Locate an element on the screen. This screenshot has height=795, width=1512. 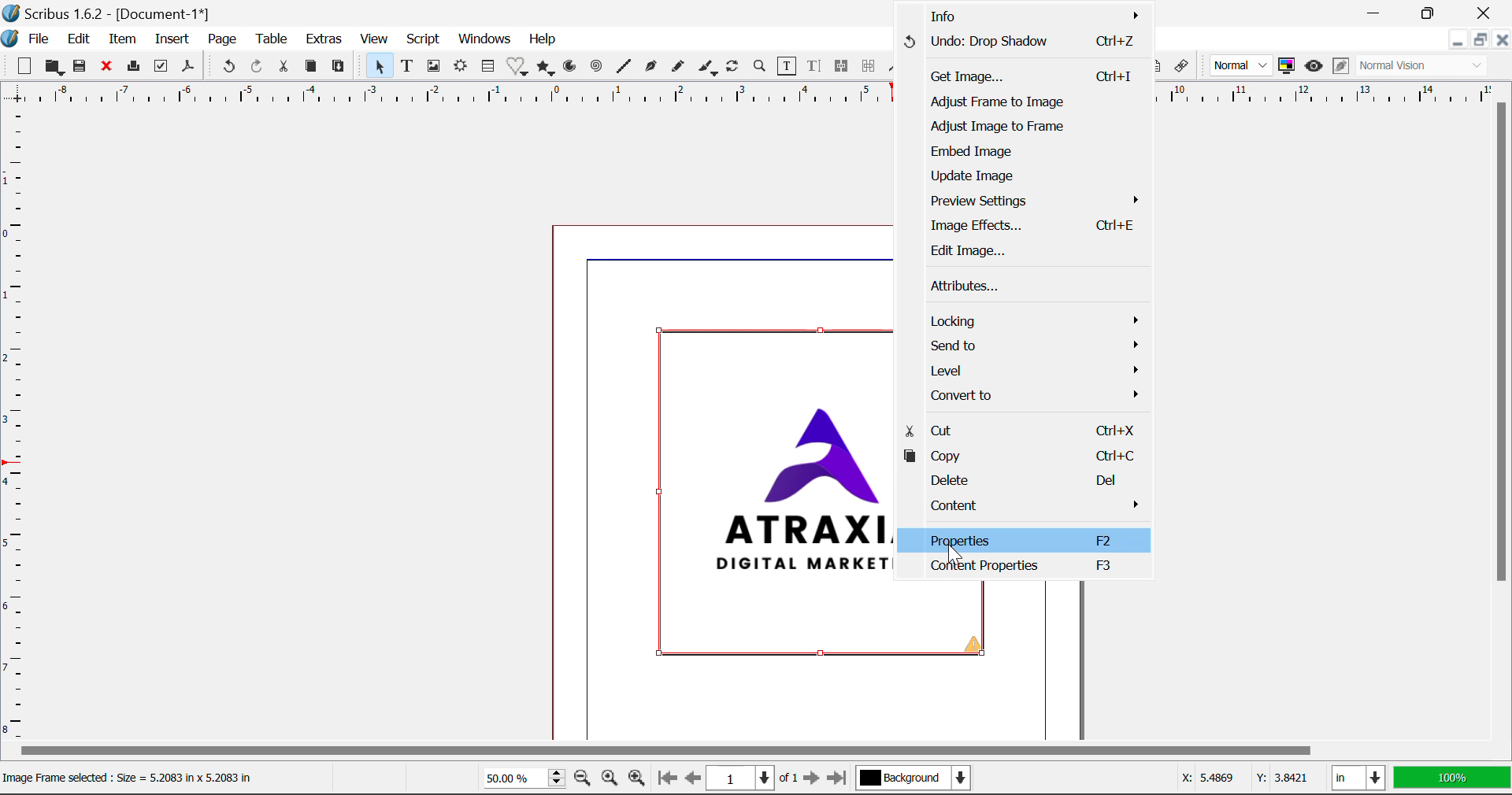
Restore Down is located at coordinates (1455, 42).